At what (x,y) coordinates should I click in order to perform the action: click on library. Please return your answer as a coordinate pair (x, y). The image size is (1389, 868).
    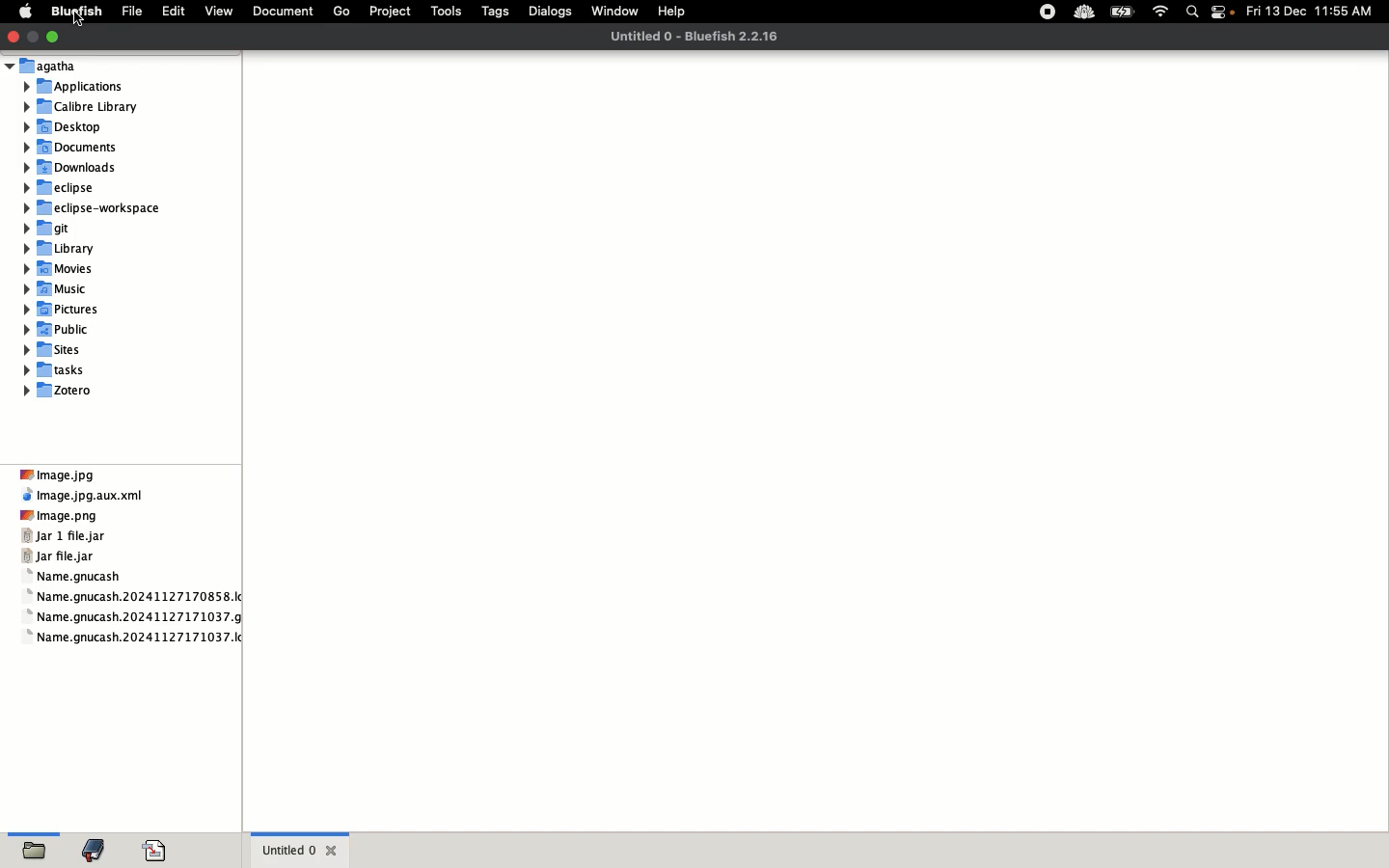
    Looking at the image, I should click on (82, 105).